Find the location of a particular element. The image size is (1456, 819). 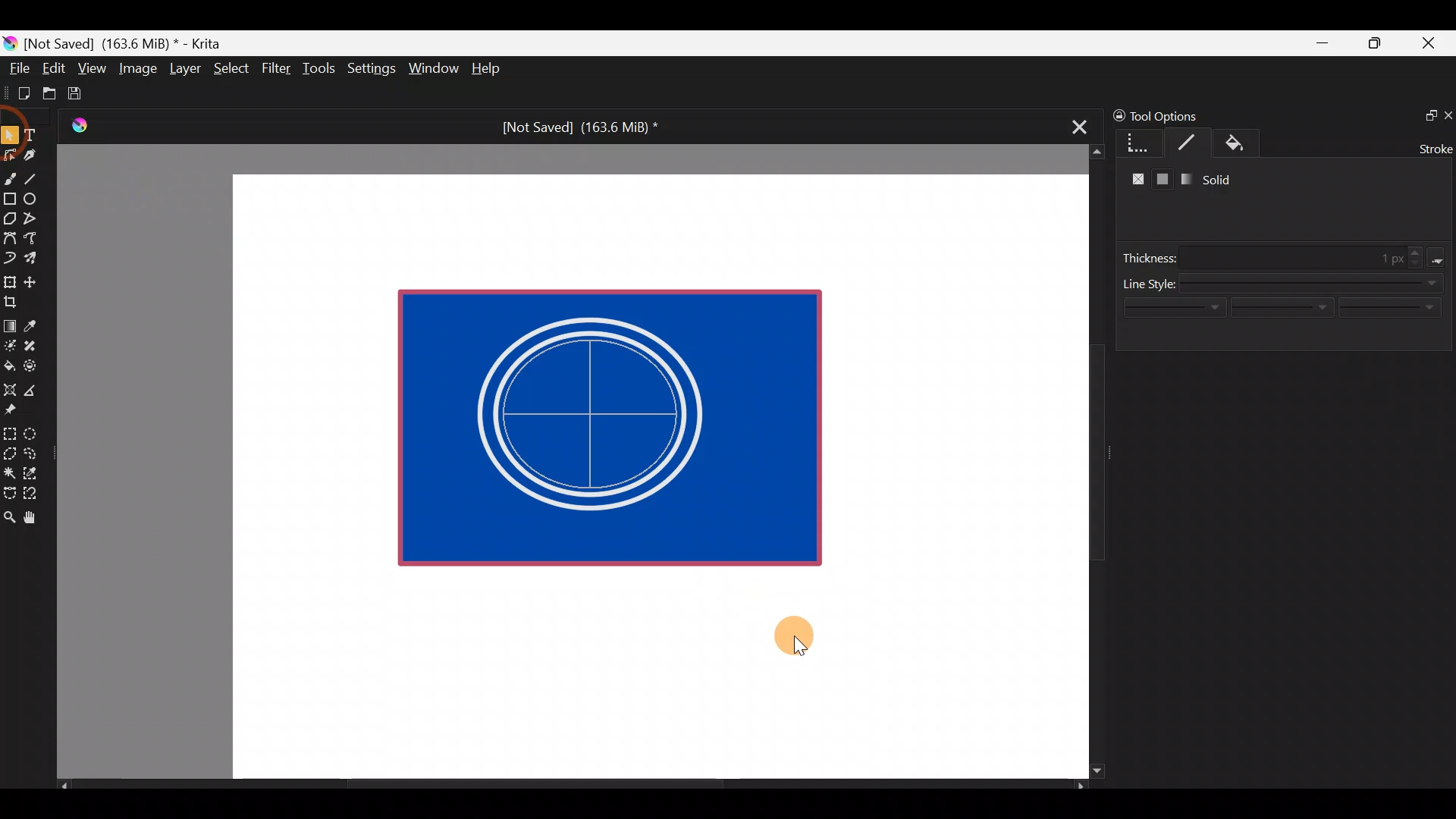

Close docker is located at coordinates (1447, 115).